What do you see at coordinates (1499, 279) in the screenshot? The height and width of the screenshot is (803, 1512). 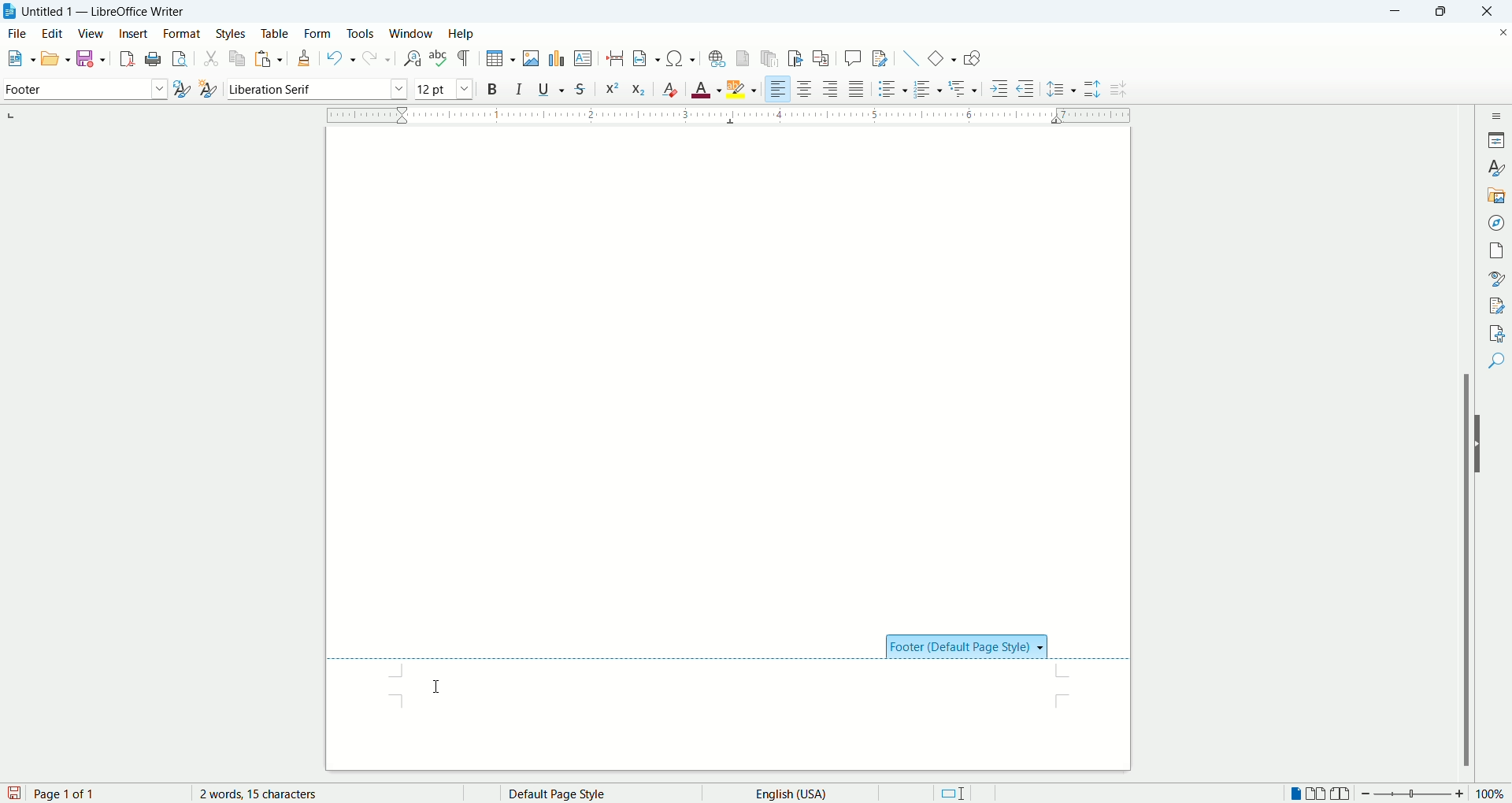 I see `style inspector` at bounding box center [1499, 279].